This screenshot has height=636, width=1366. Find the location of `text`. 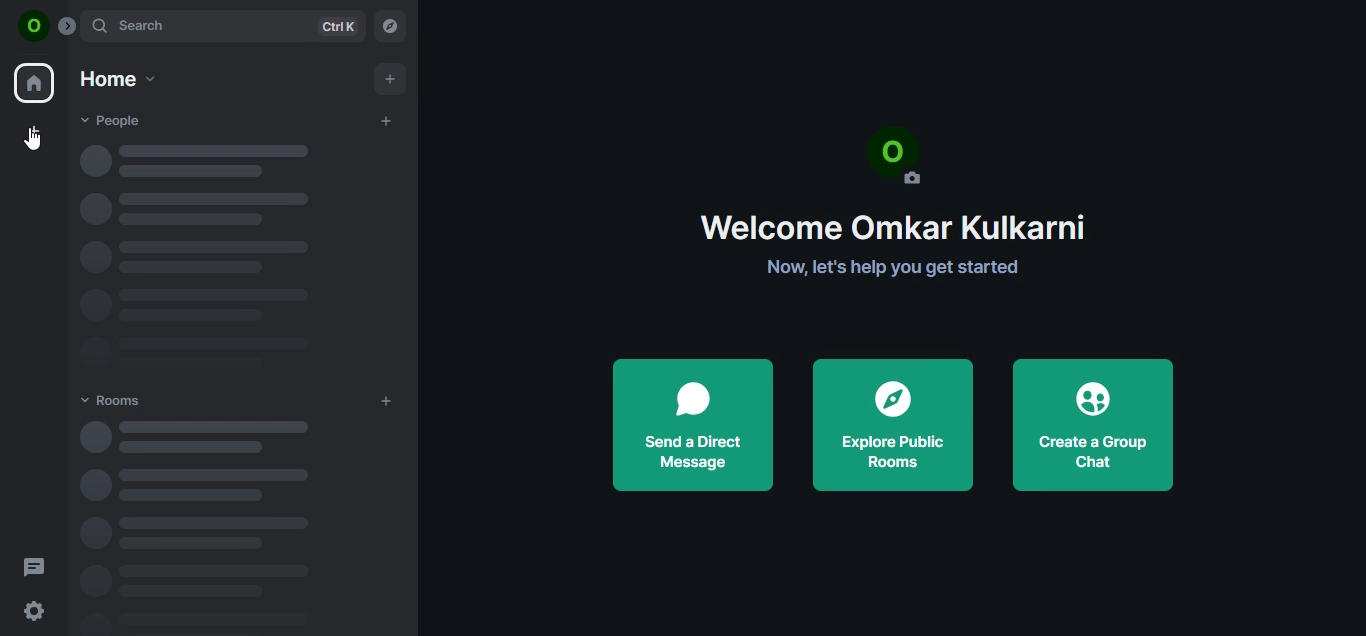

text is located at coordinates (914, 206).